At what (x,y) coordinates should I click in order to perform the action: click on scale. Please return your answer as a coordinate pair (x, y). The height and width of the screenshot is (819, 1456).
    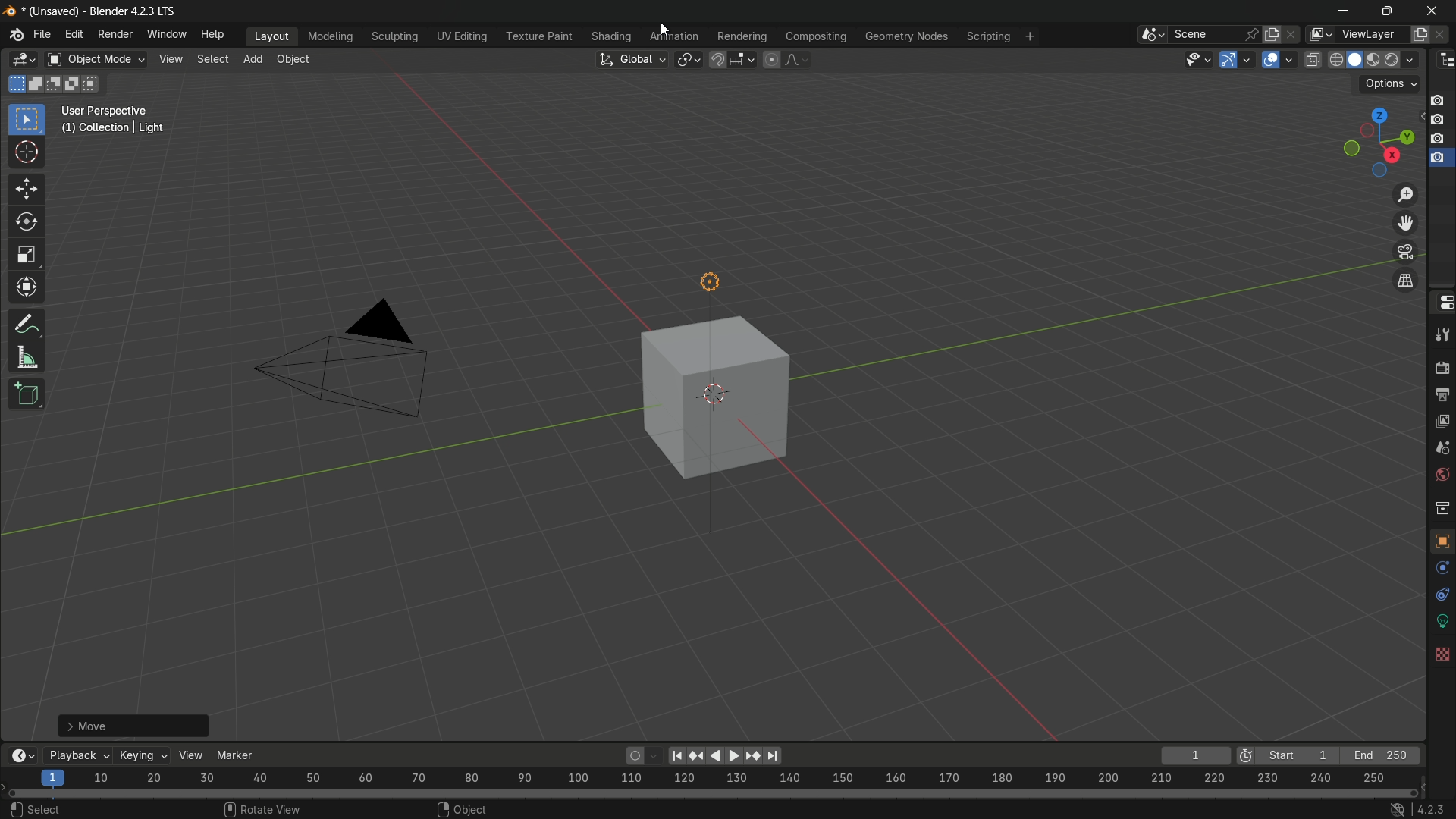
    Looking at the image, I should click on (721, 778).